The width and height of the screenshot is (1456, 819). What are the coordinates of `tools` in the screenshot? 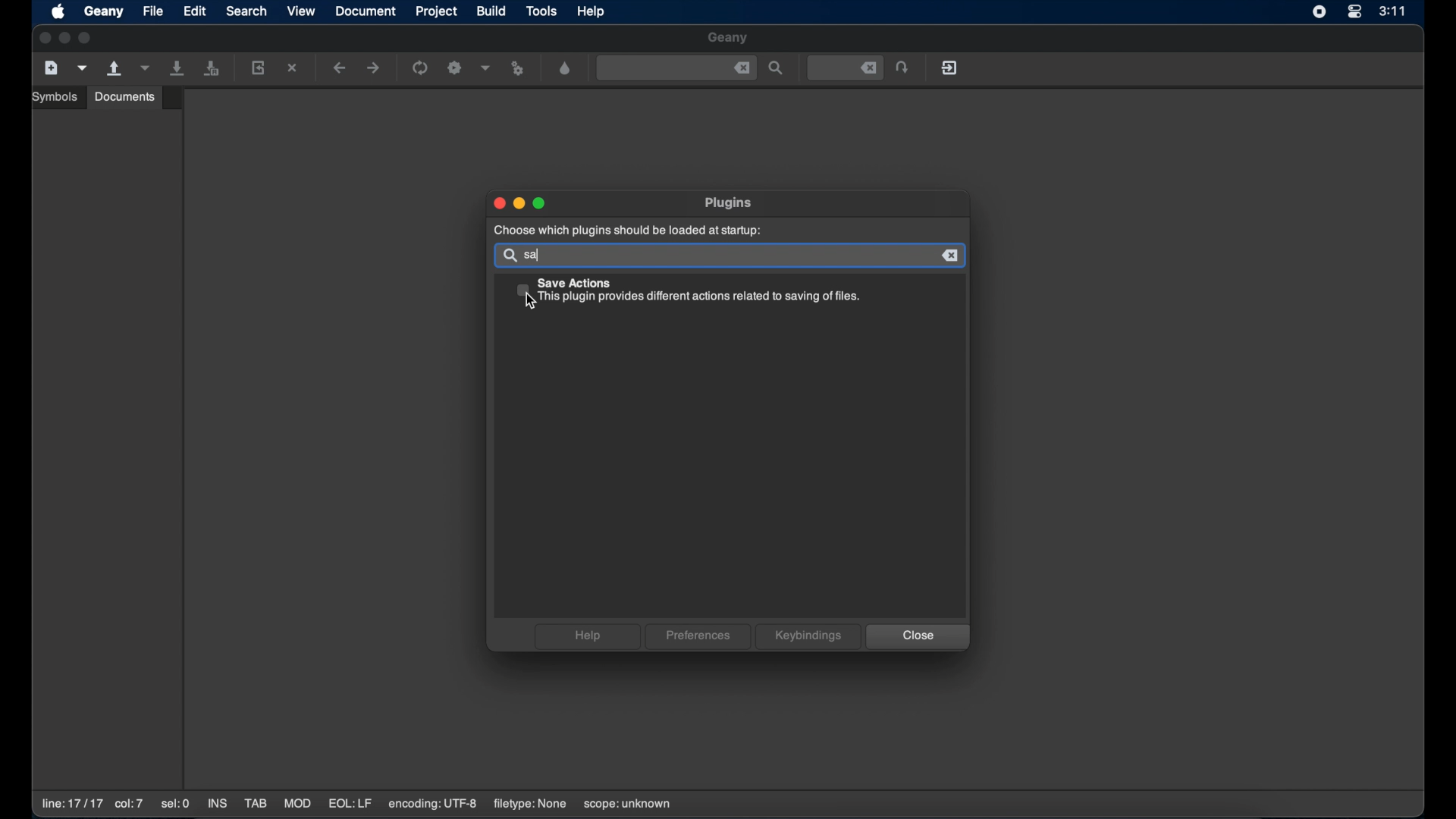 It's located at (542, 12).